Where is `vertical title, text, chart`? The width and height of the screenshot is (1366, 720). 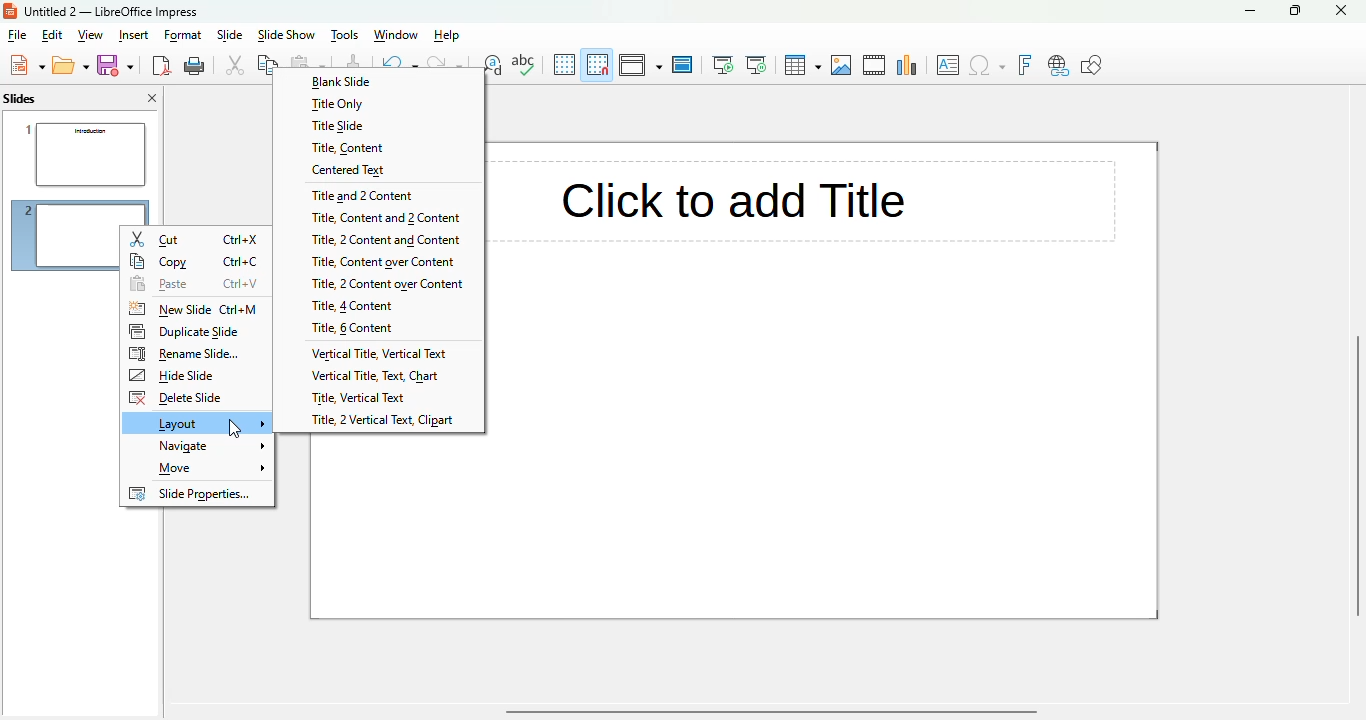 vertical title, text, chart is located at coordinates (377, 375).